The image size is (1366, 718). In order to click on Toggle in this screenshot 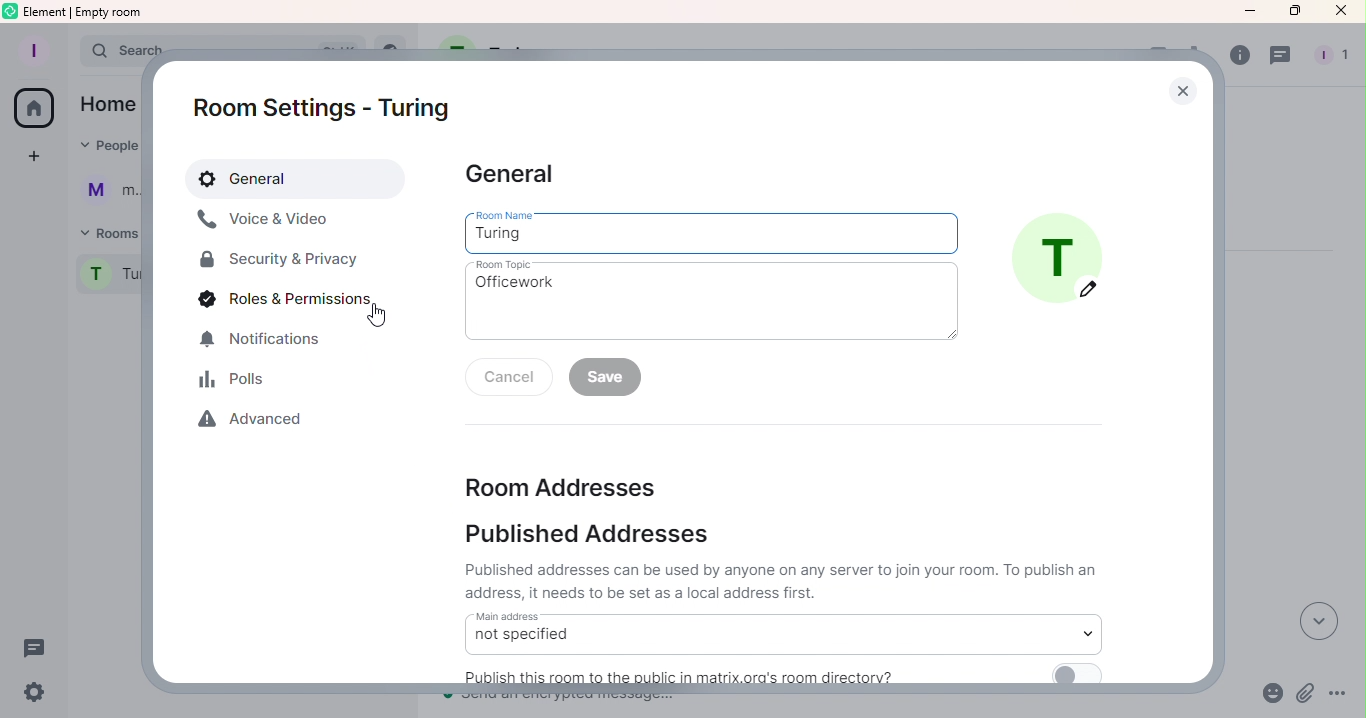, I will do `click(1079, 674)`.